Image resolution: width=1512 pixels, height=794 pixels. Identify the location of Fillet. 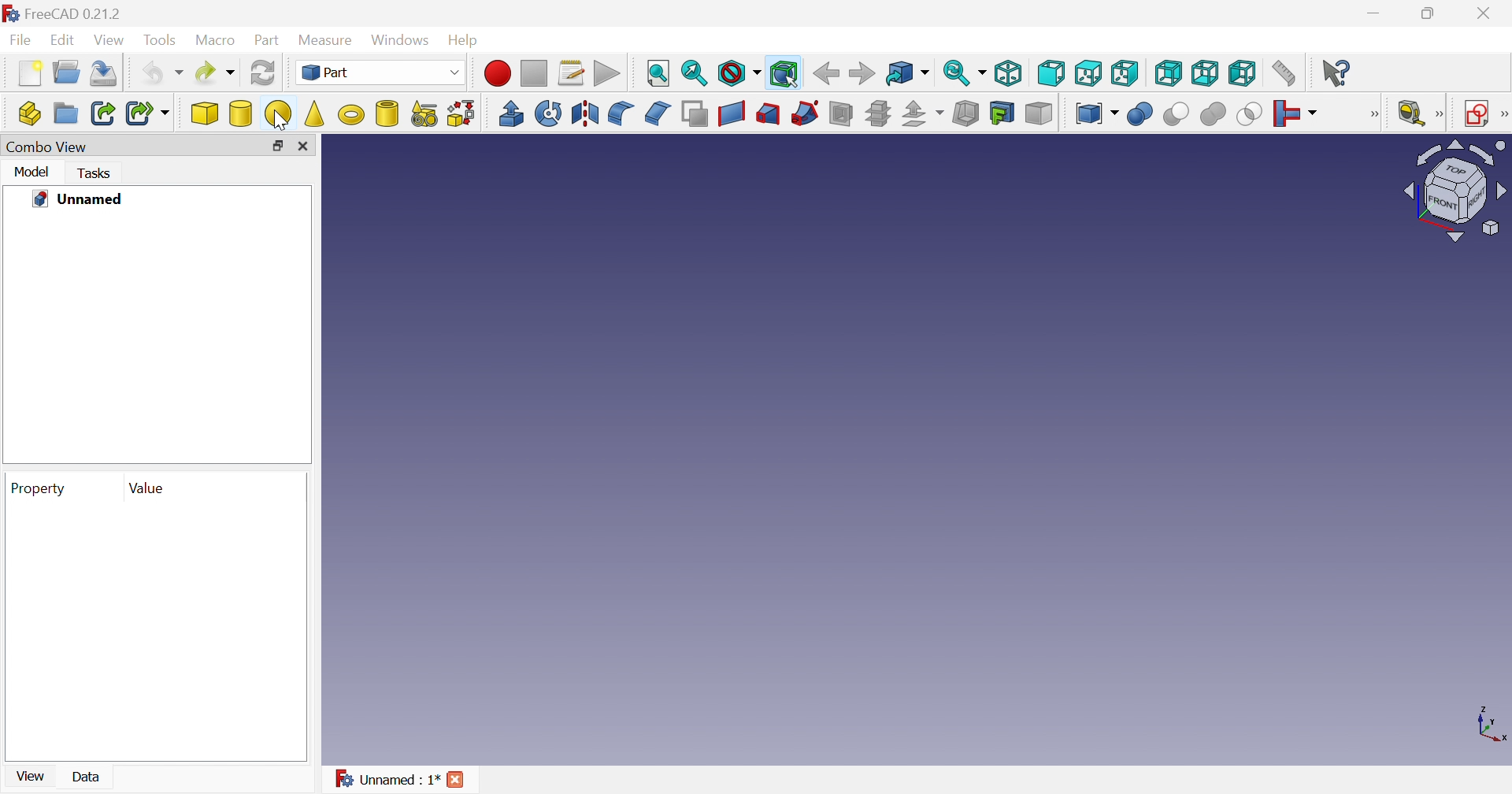
(621, 113).